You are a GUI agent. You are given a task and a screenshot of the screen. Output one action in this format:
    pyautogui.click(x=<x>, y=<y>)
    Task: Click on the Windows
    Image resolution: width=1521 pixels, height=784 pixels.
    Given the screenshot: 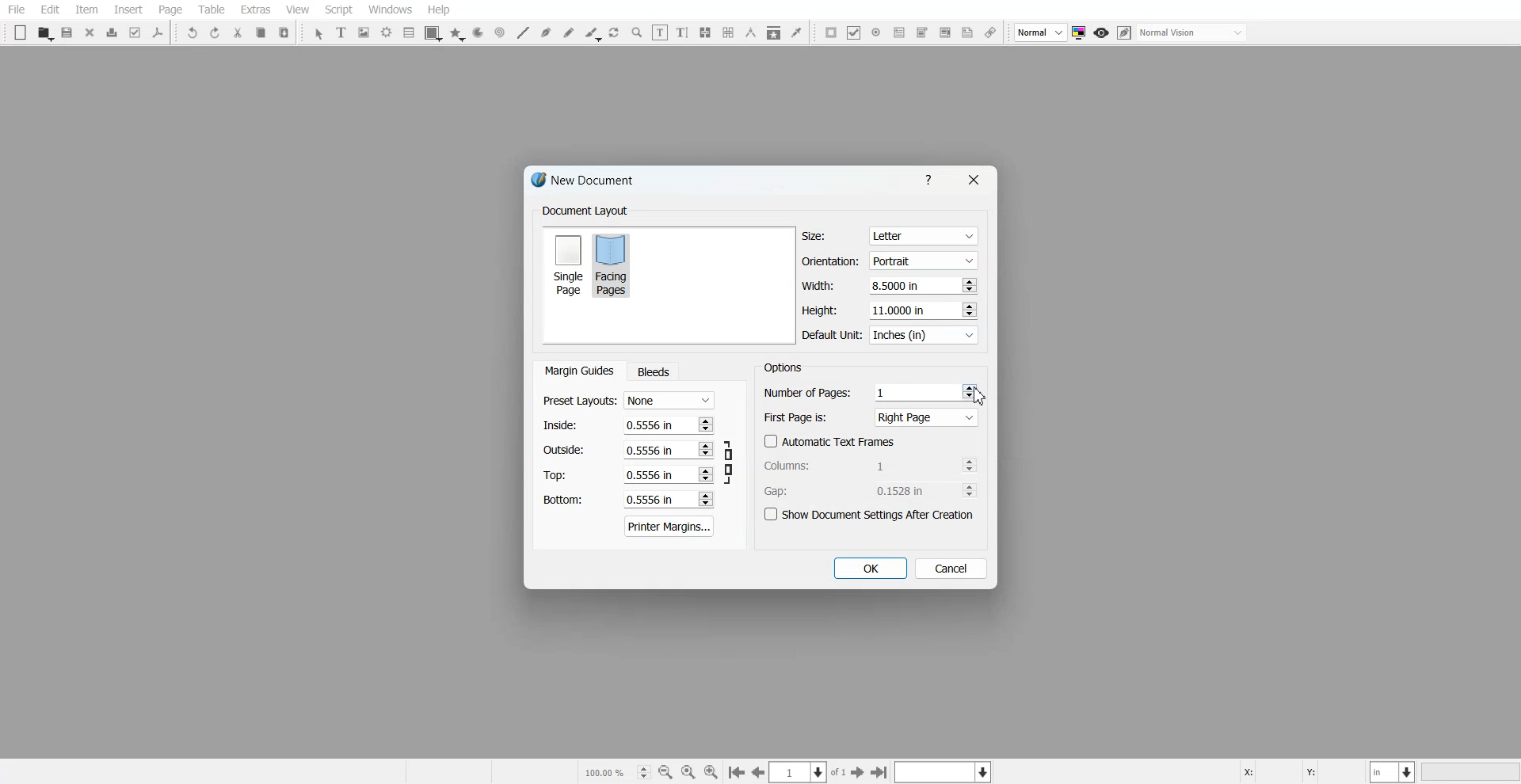 What is the action you would take?
    pyautogui.click(x=391, y=10)
    